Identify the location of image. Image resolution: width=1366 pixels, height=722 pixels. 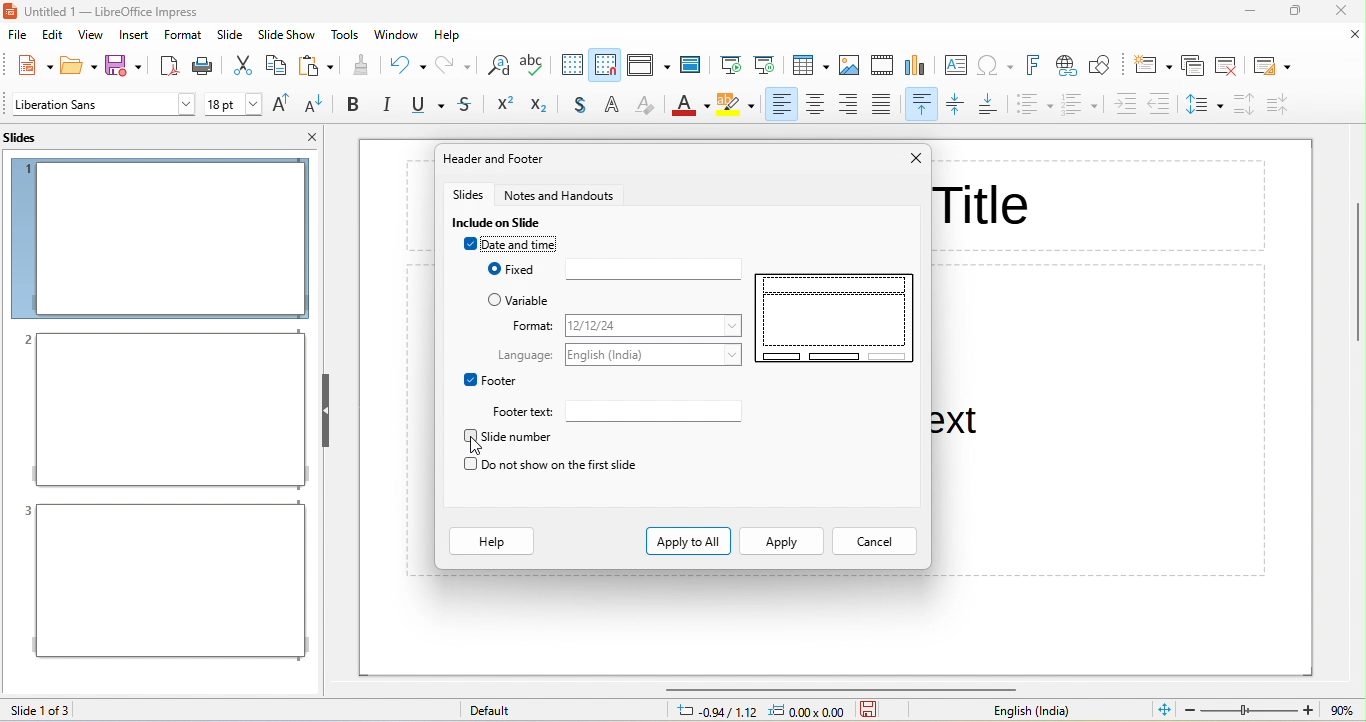
(851, 66).